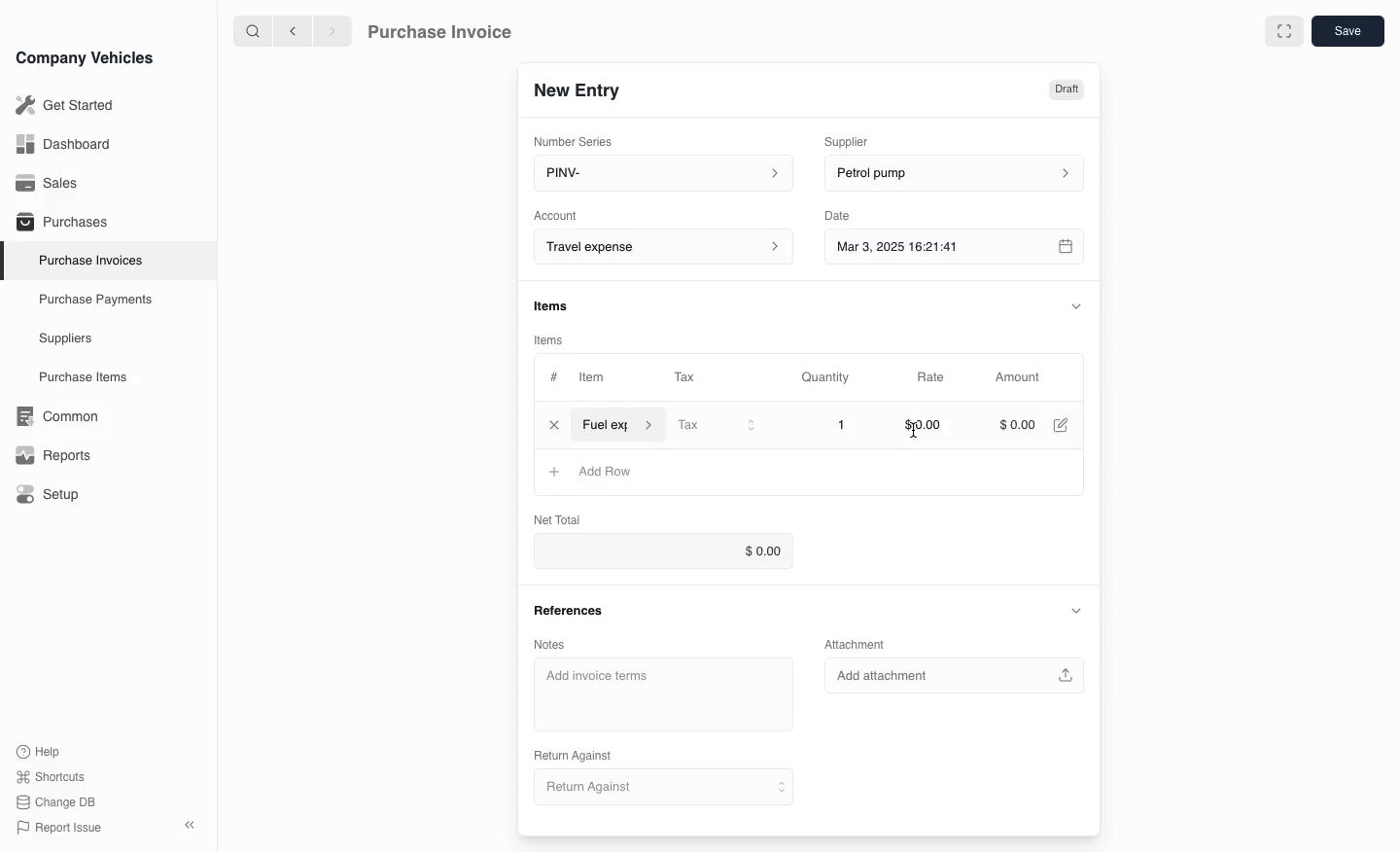 The image size is (1400, 852). I want to click on cursor, so click(909, 430).